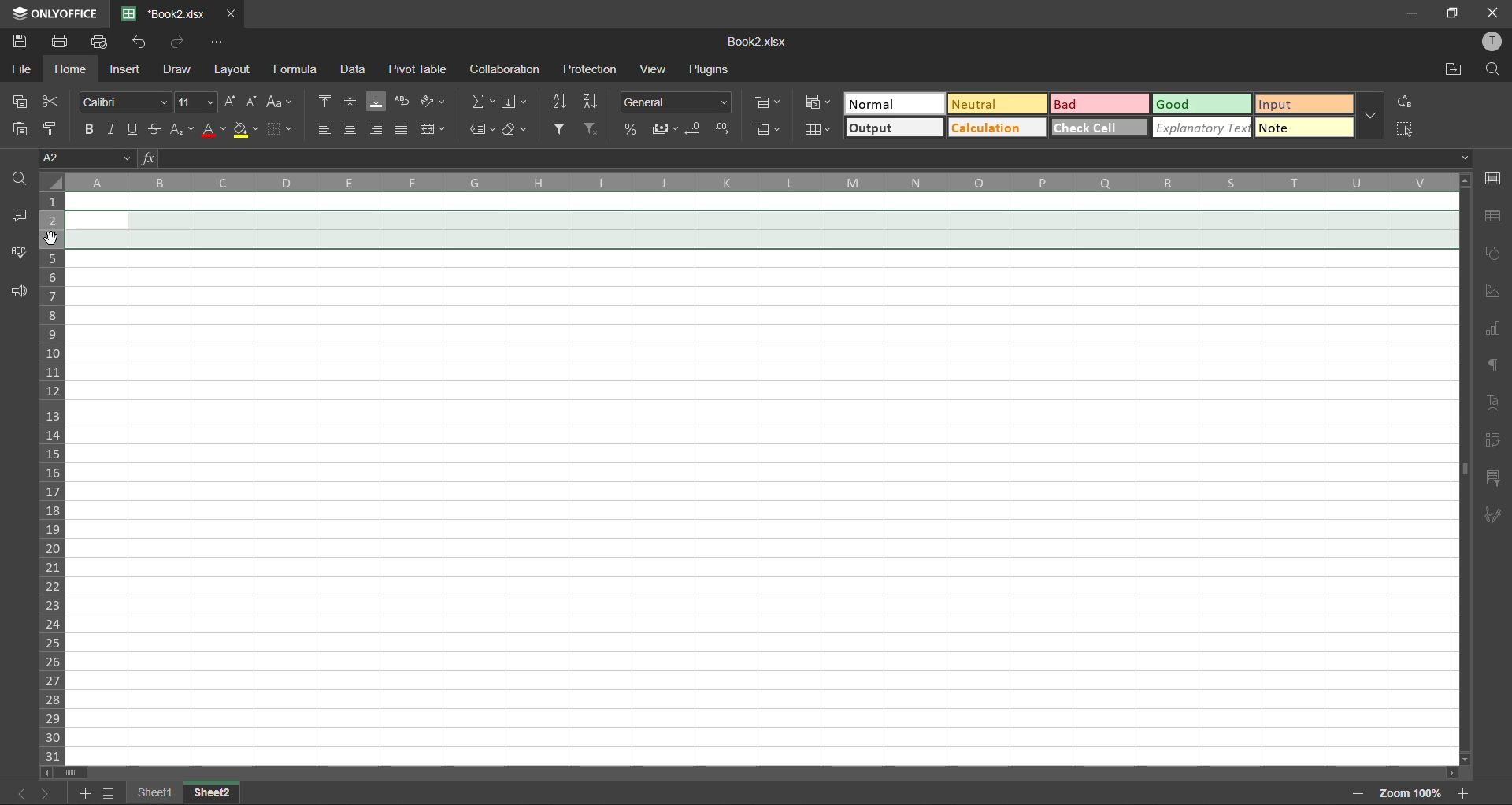 Image resolution: width=1512 pixels, height=805 pixels. What do you see at coordinates (139, 43) in the screenshot?
I see `undo` at bounding box center [139, 43].